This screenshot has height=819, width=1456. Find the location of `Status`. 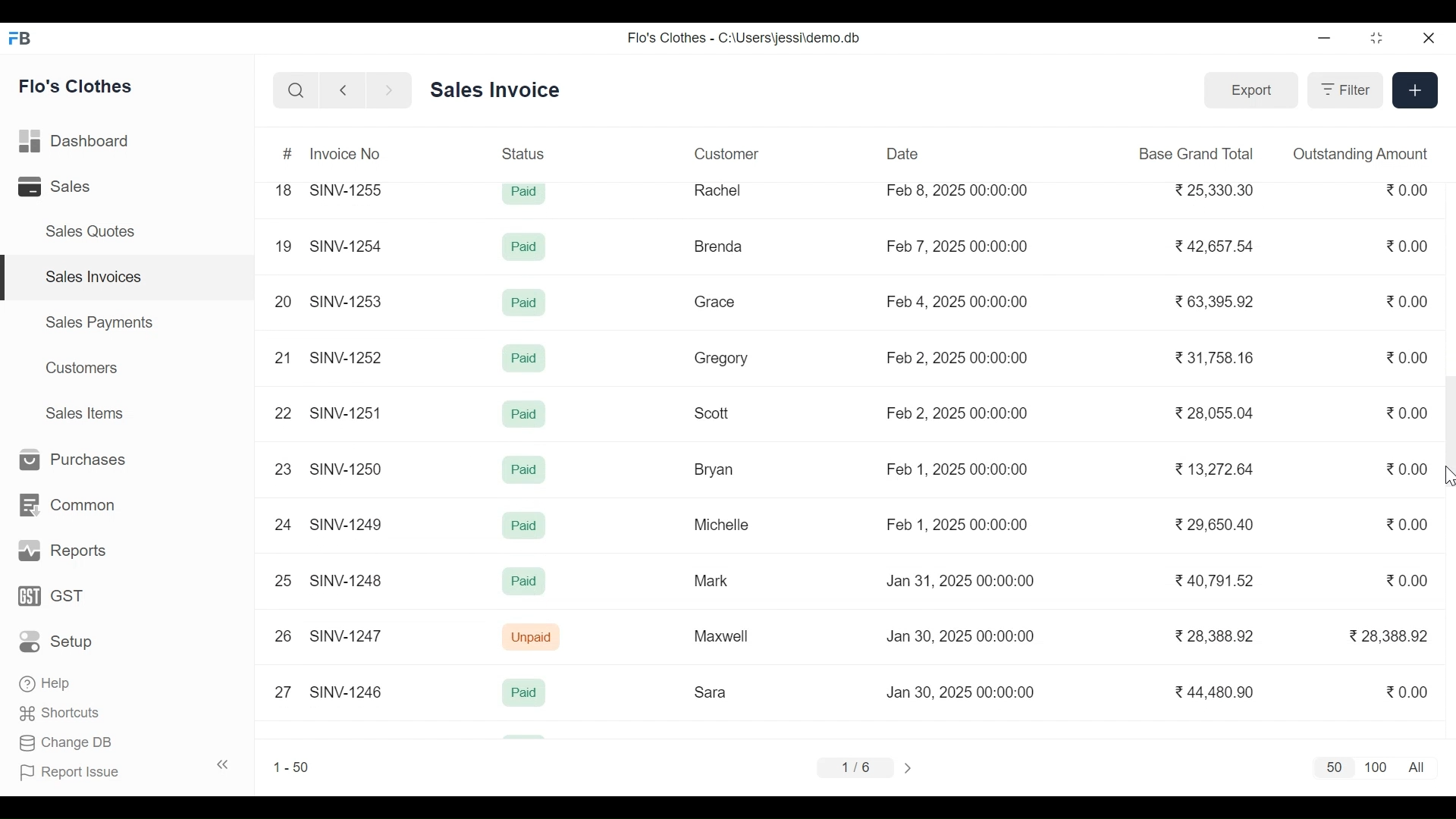

Status is located at coordinates (526, 152).